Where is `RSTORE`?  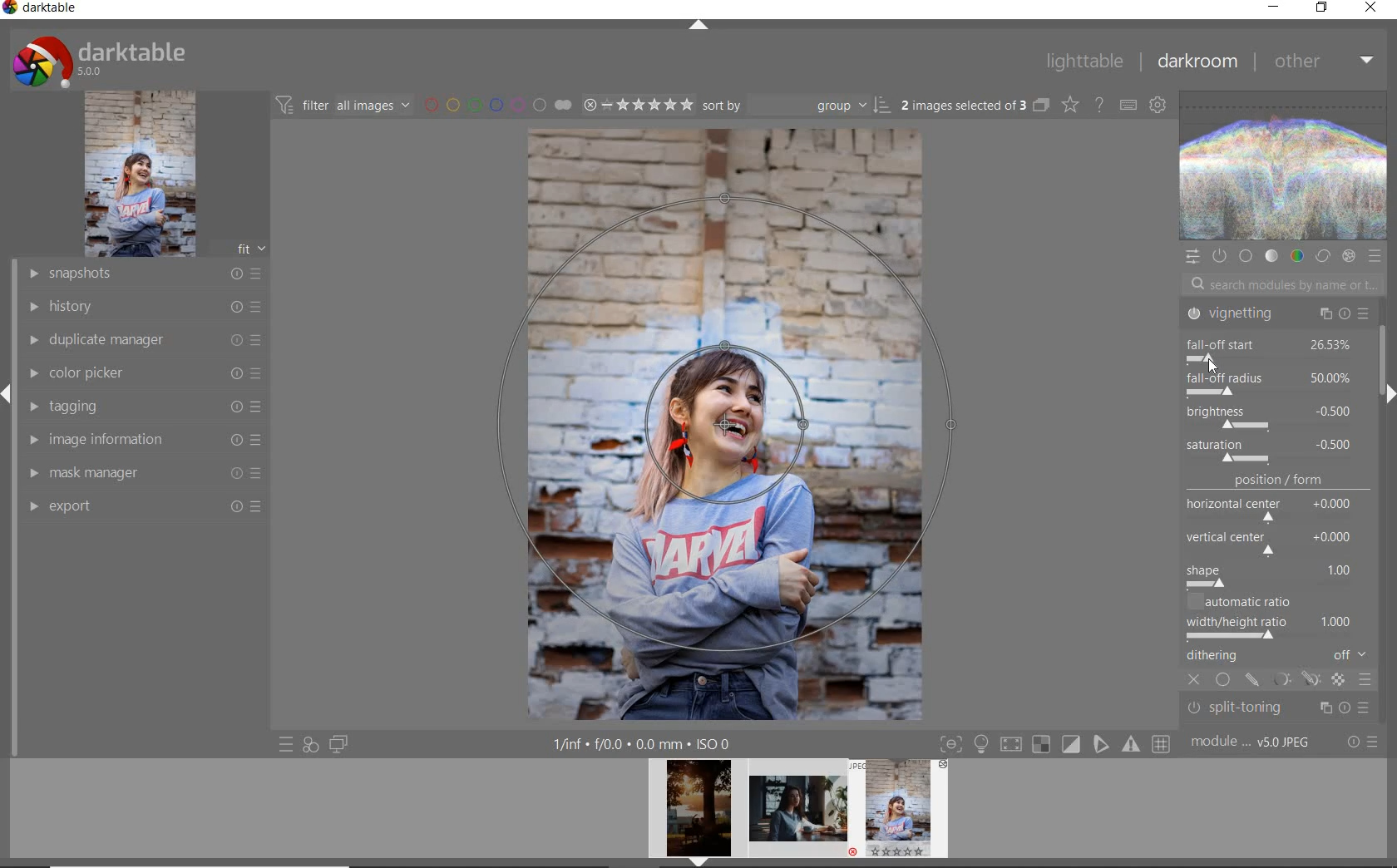
RSTORE is located at coordinates (1319, 8).